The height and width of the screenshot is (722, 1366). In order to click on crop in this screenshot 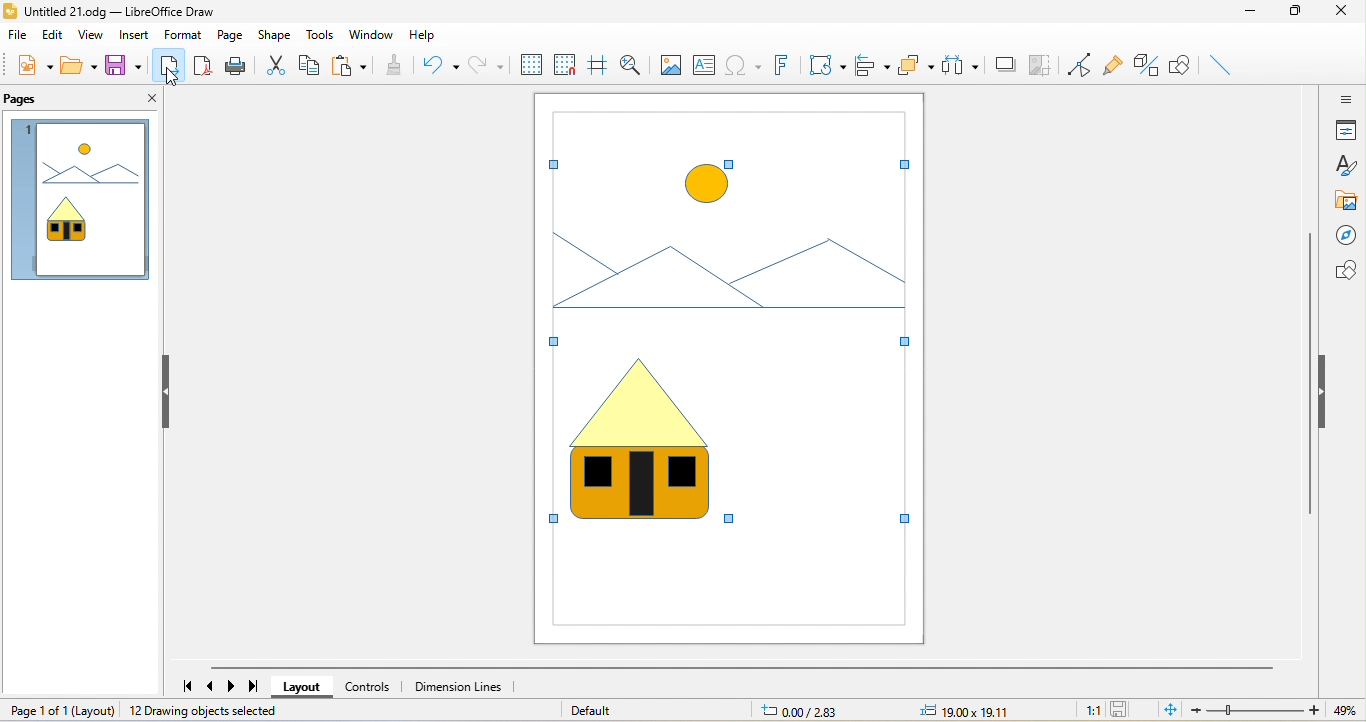, I will do `click(1041, 66)`.